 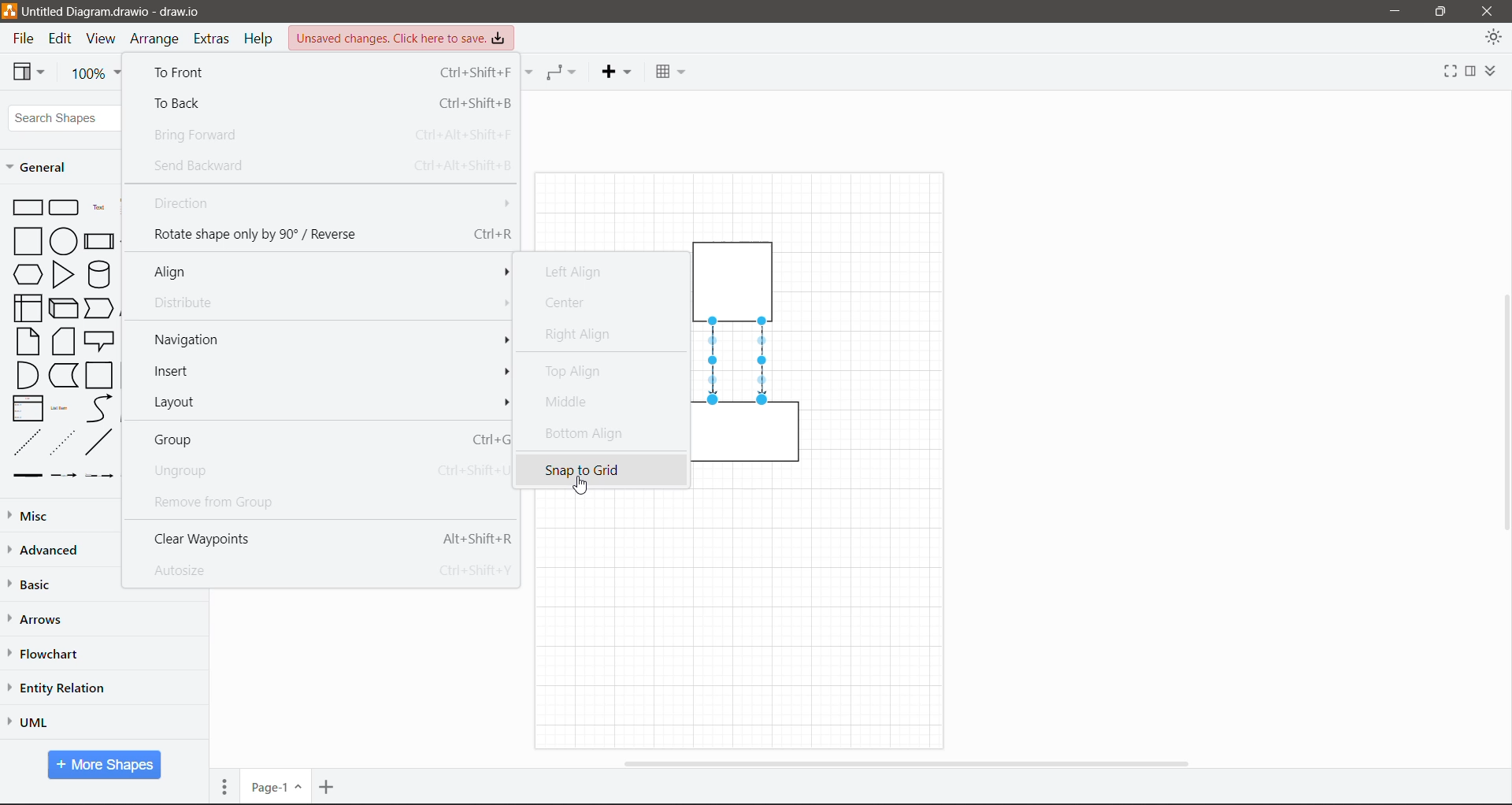 What do you see at coordinates (99, 341) in the screenshot?
I see `Callout` at bounding box center [99, 341].